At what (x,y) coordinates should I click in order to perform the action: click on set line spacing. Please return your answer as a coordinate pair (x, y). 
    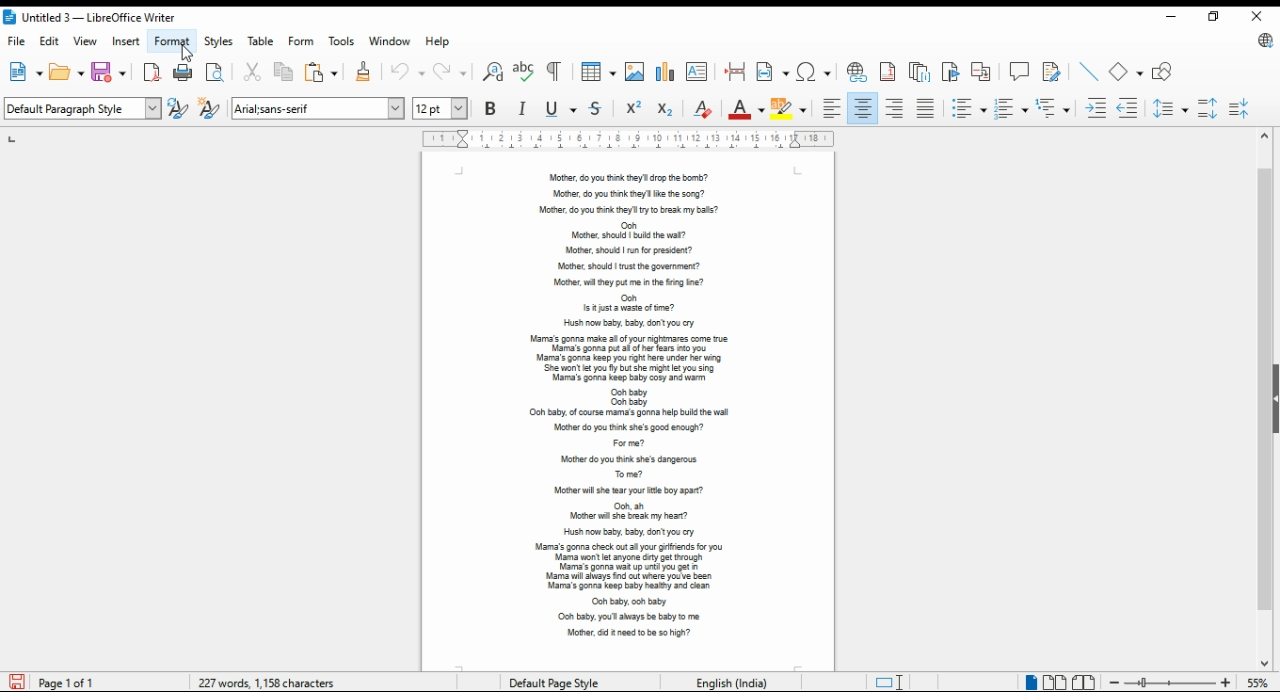
    Looking at the image, I should click on (1170, 109).